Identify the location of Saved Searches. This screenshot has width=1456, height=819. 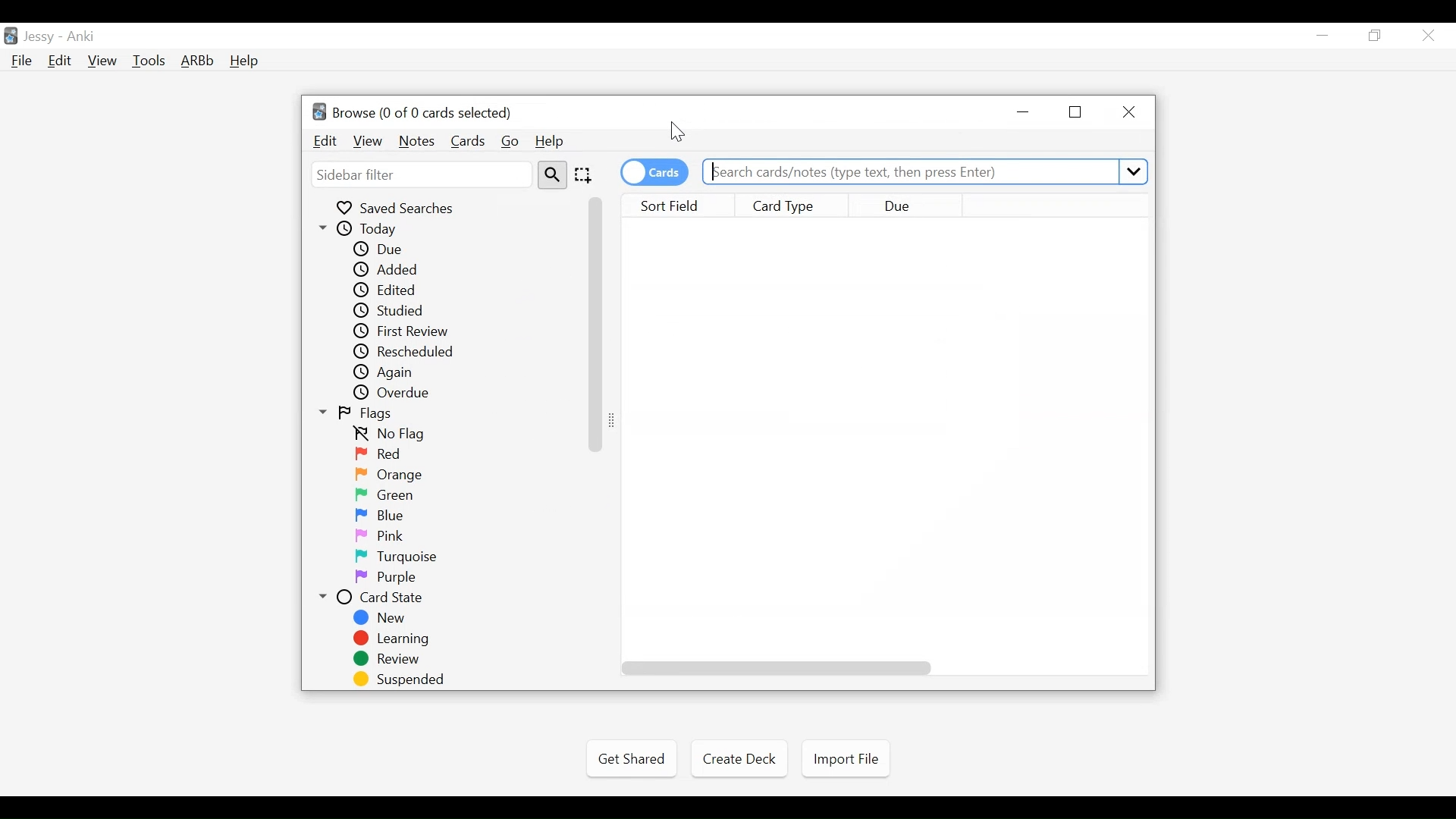
(403, 207).